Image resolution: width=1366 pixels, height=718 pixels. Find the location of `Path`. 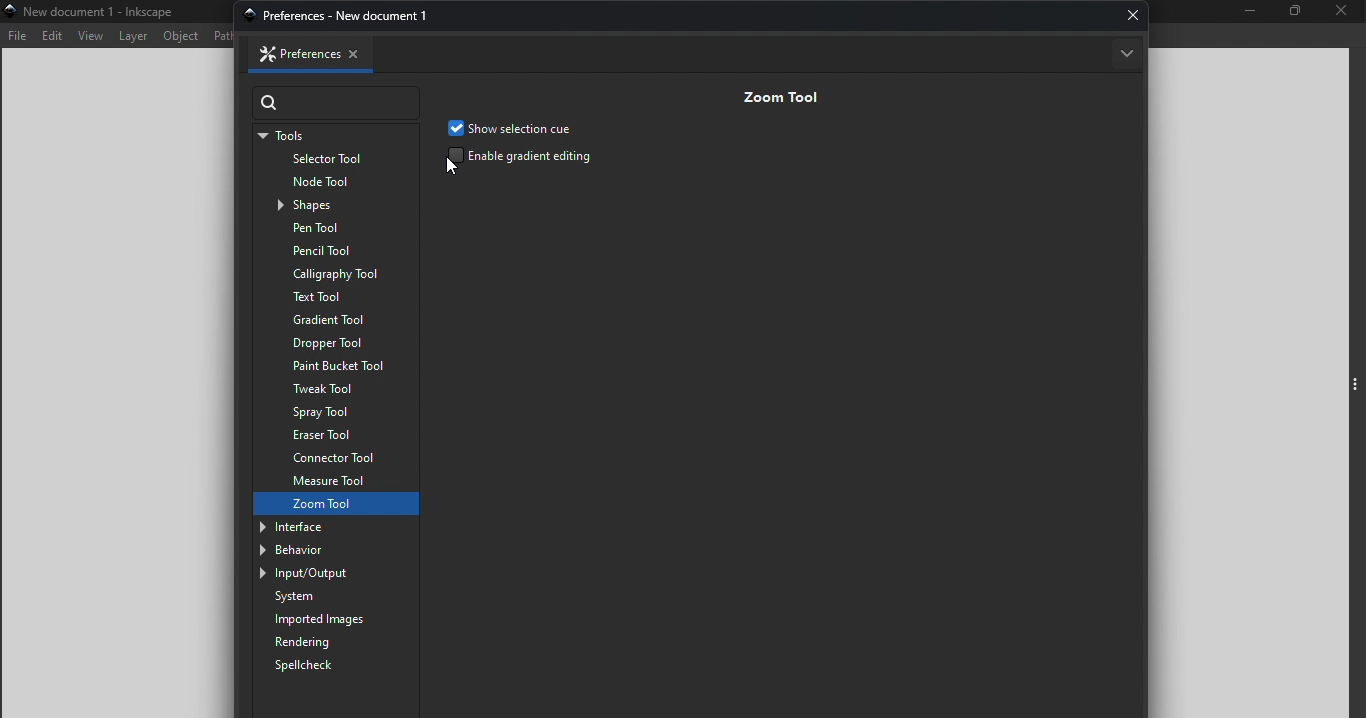

Path is located at coordinates (219, 35).